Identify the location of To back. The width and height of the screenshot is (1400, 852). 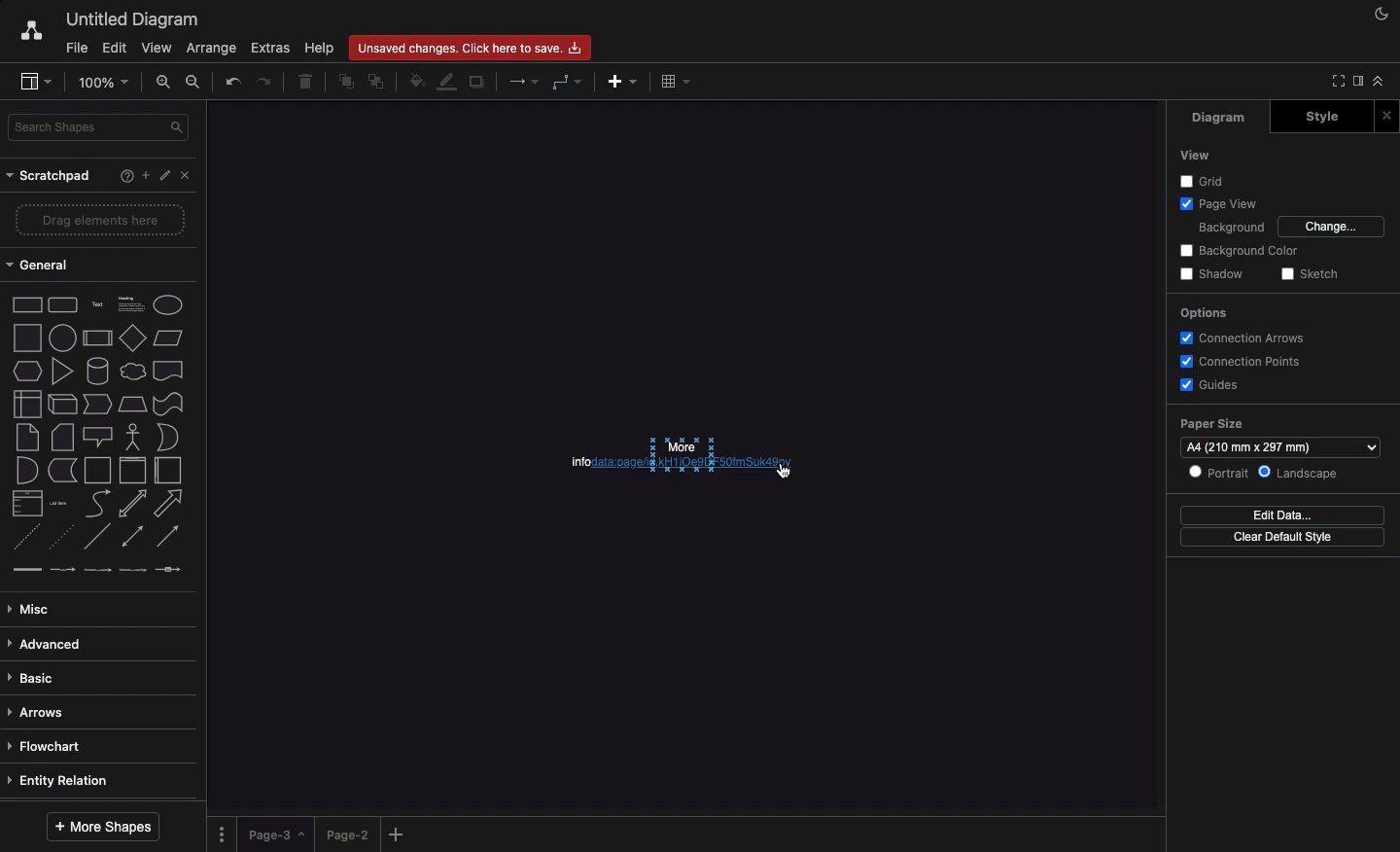
(376, 83).